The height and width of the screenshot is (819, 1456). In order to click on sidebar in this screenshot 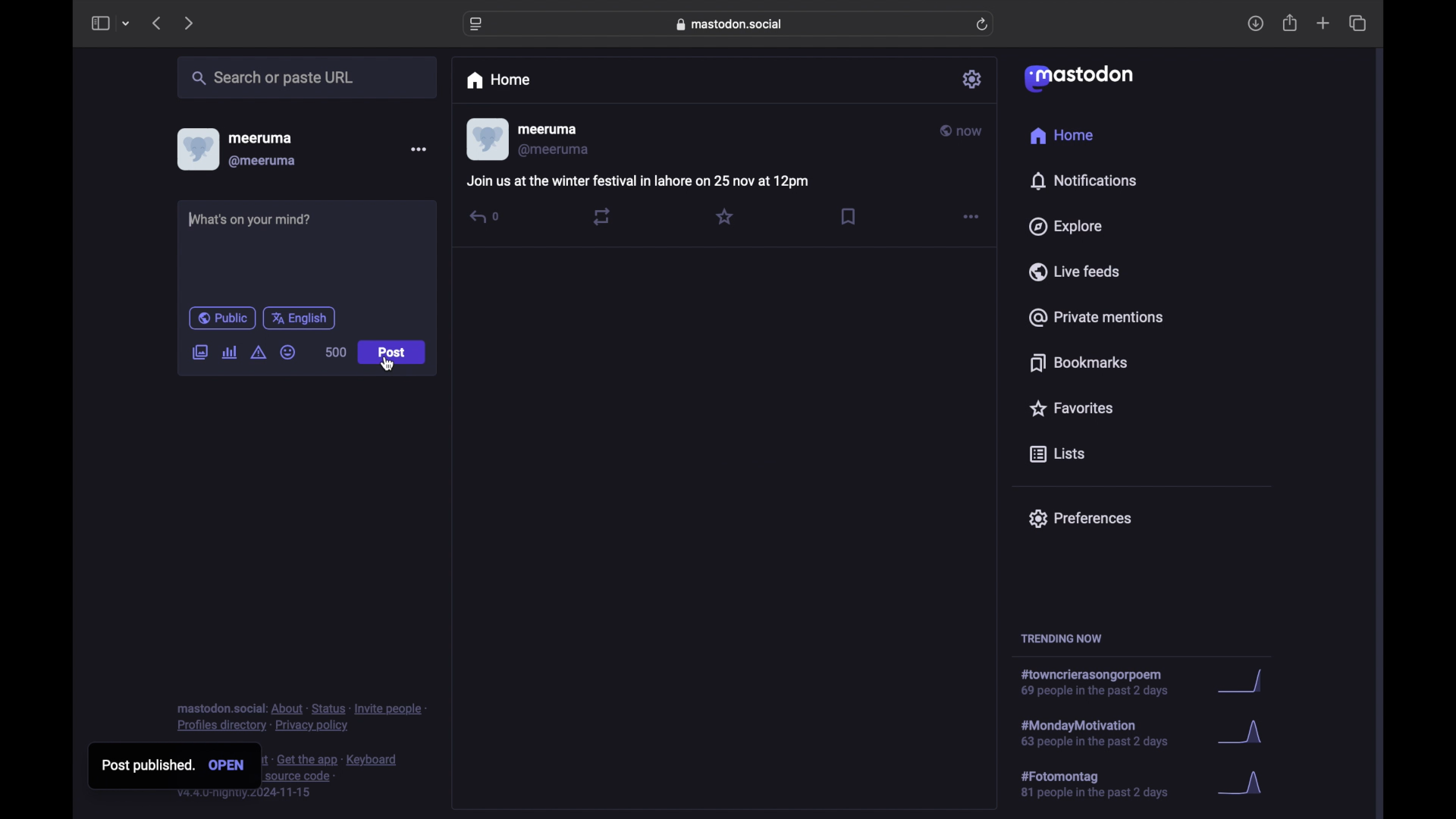, I will do `click(99, 23)`.